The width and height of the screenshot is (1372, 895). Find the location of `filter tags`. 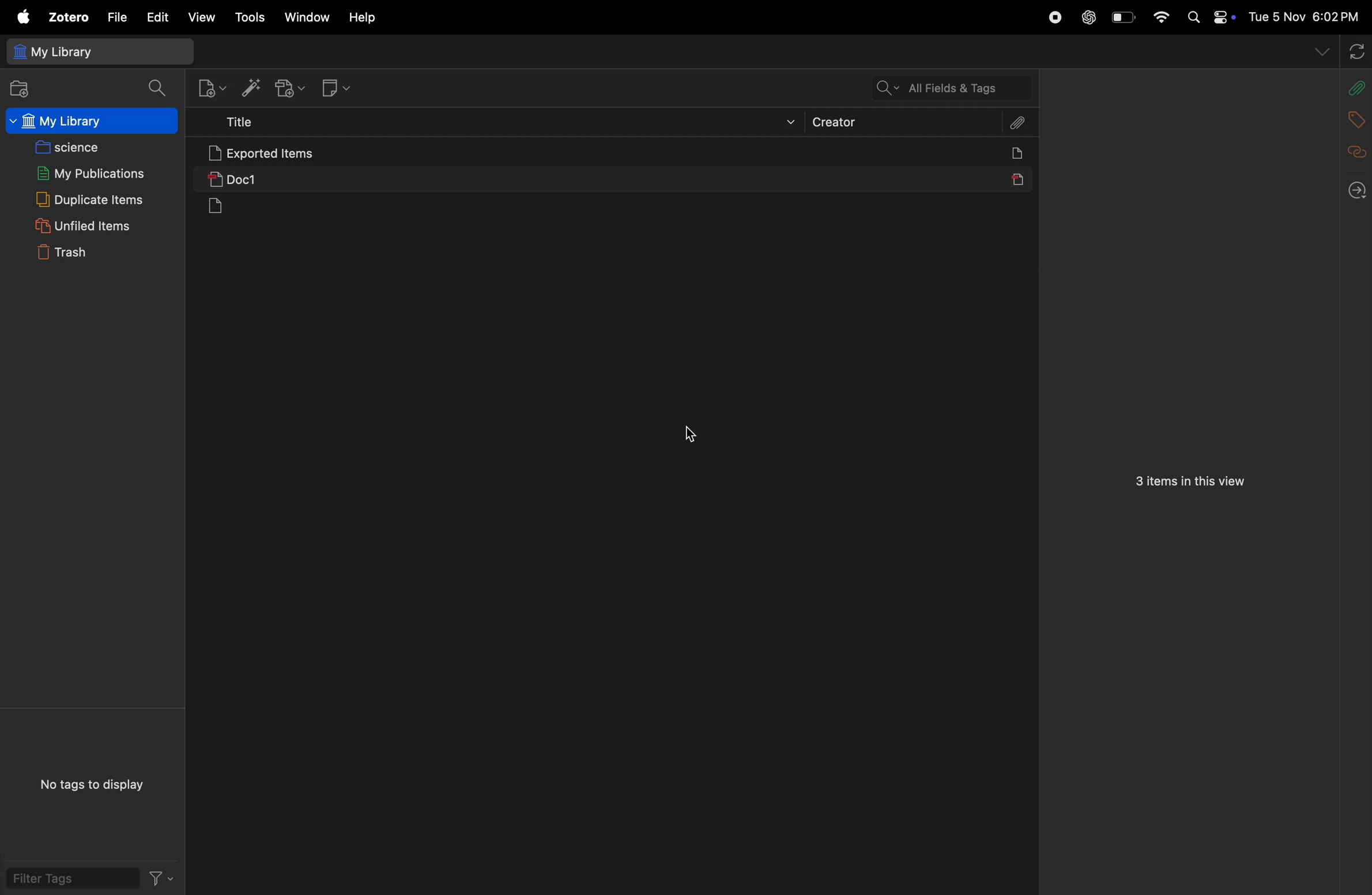

filter tags is located at coordinates (161, 879).